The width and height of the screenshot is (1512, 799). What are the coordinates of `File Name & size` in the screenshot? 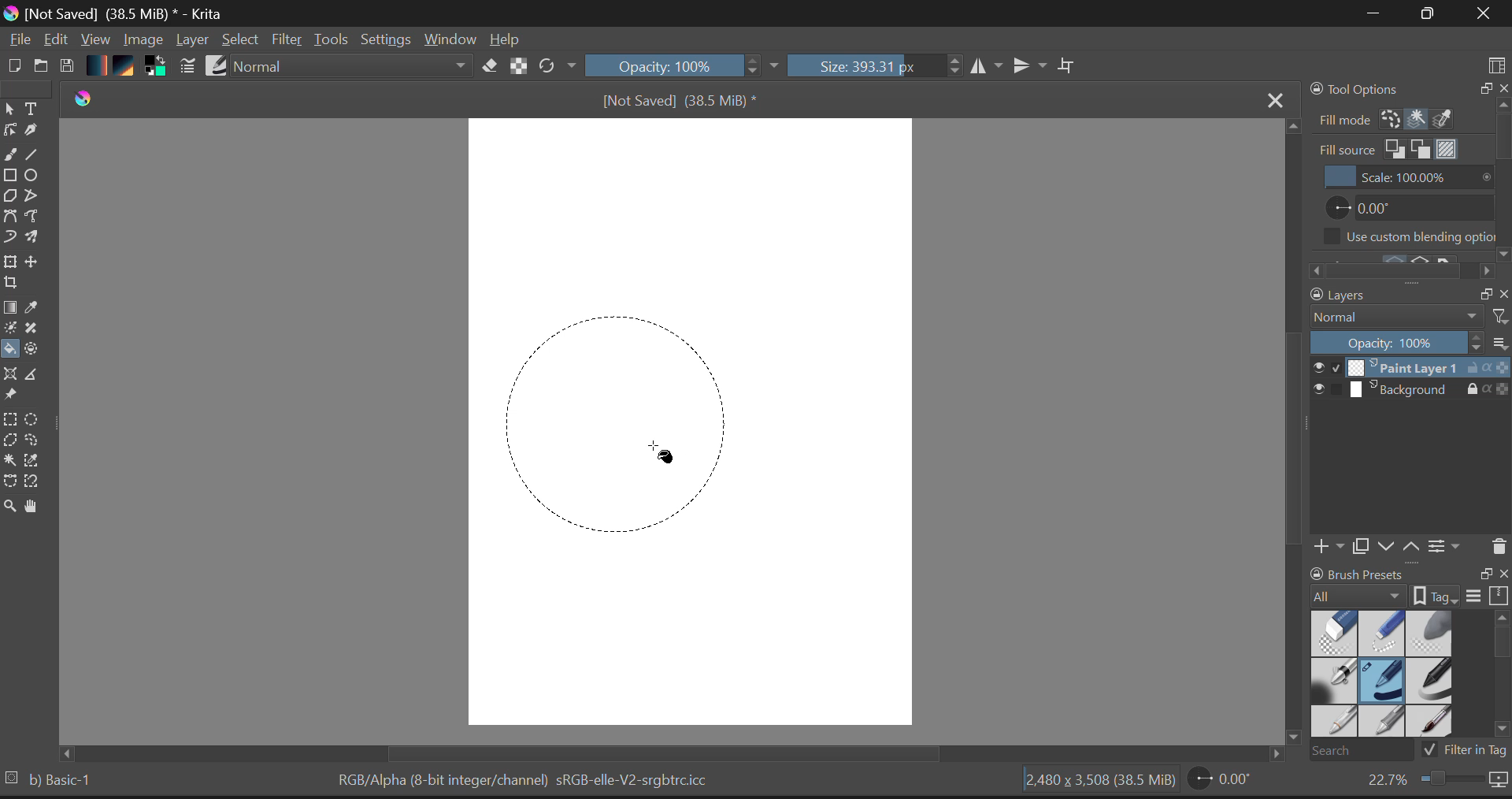 It's located at (679, 100).